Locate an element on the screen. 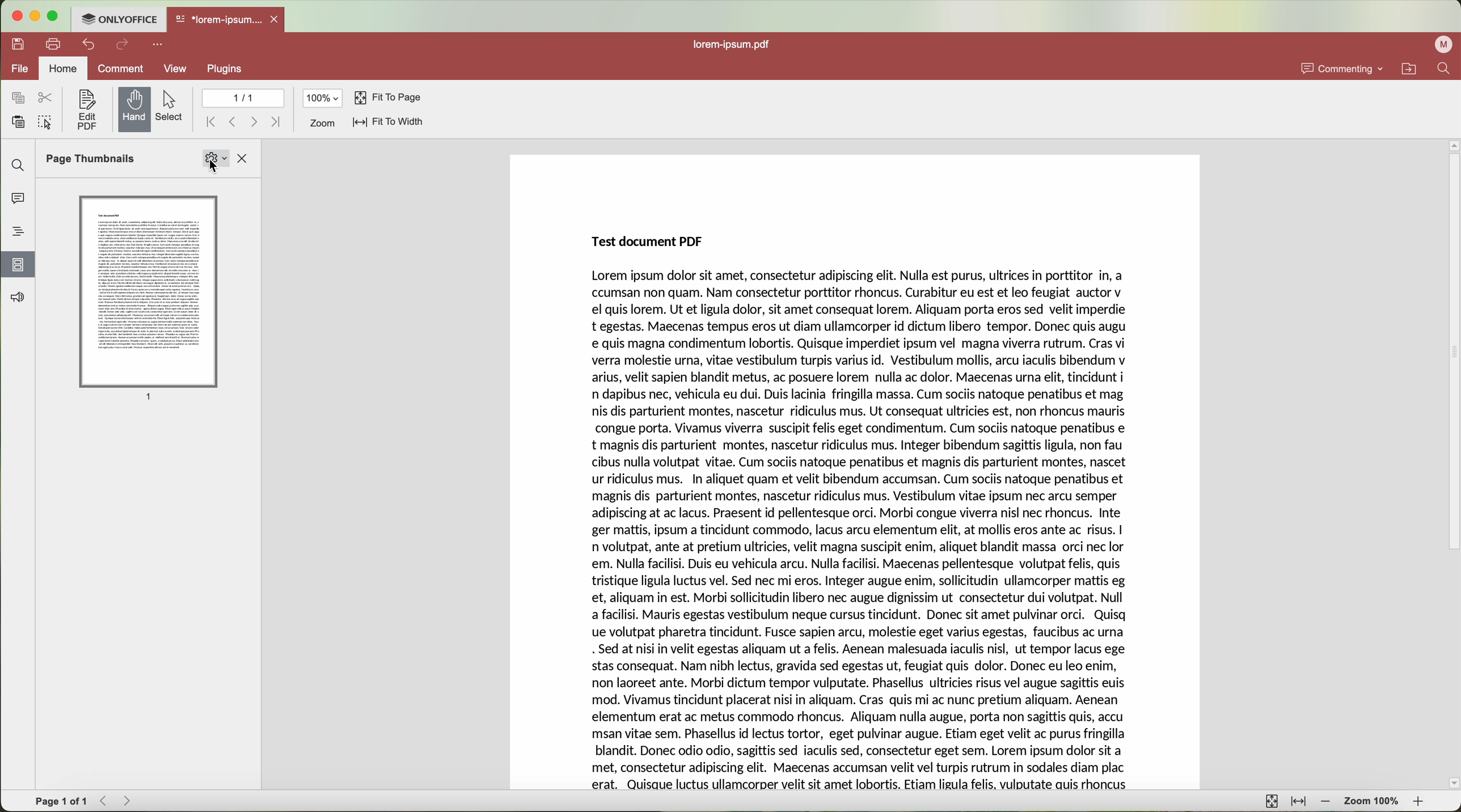 The height and width of the screenshot is (812, 1461). lorem-ipsum.pdf is located at coordinates (734, 44).